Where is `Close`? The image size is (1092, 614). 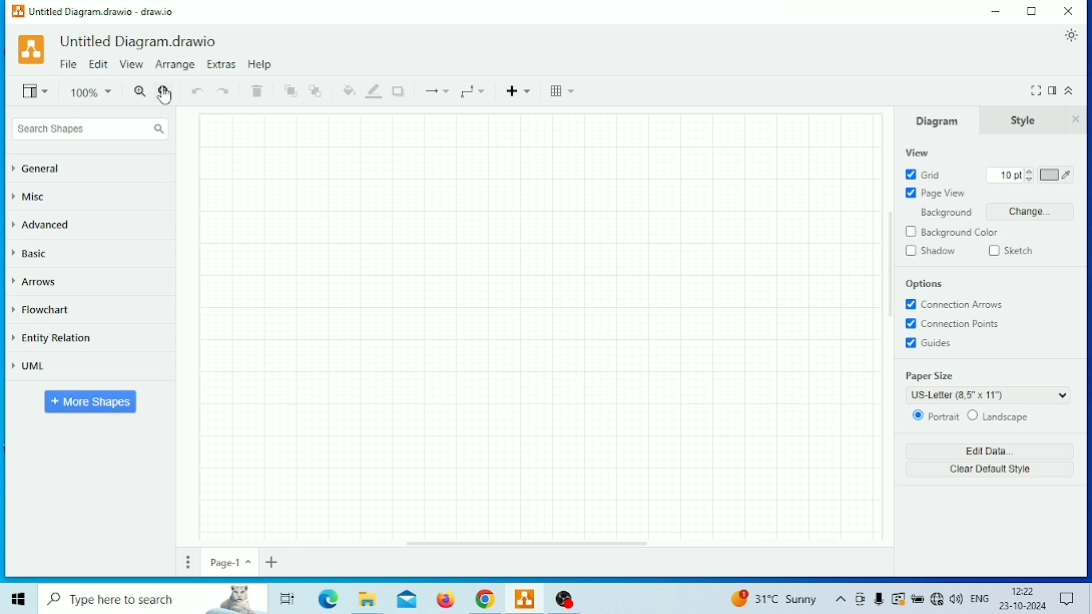
Close is located at coordinates (1069, 11).